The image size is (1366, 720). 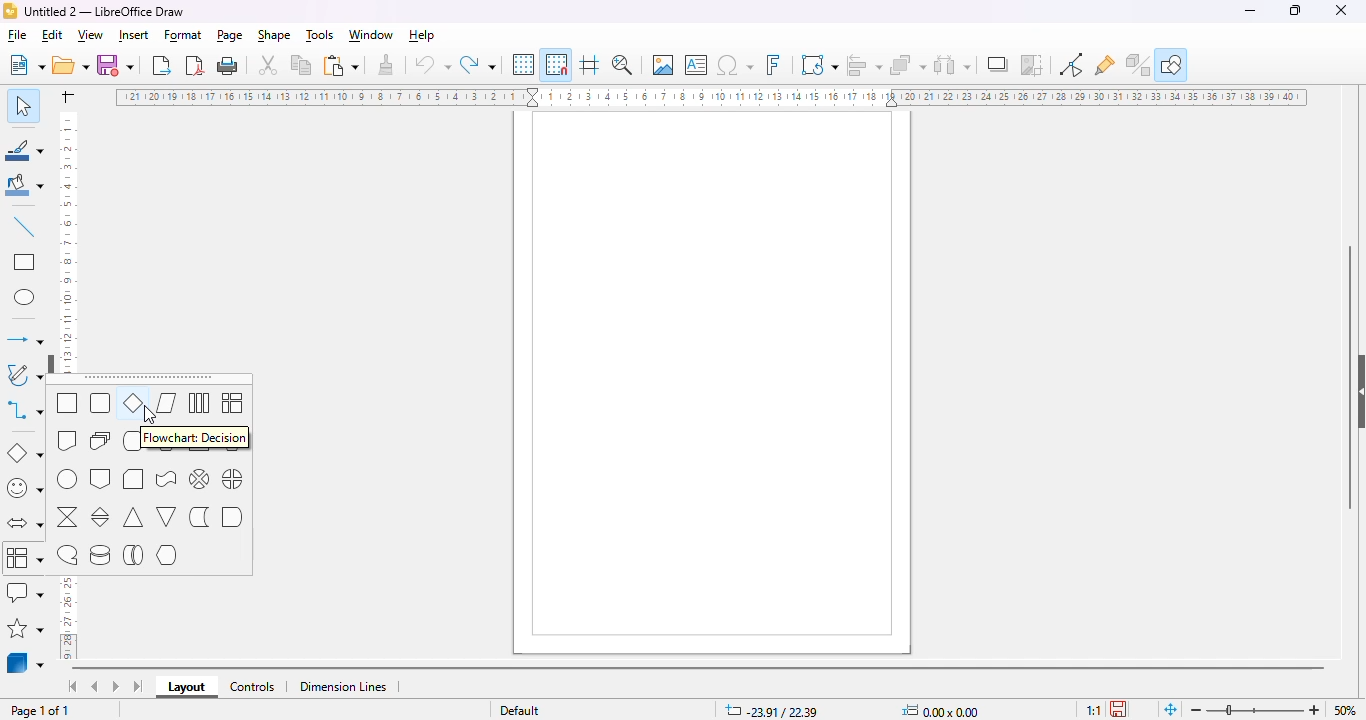 I want to click on scaling factor of the document, so click(x=1093, y=709).